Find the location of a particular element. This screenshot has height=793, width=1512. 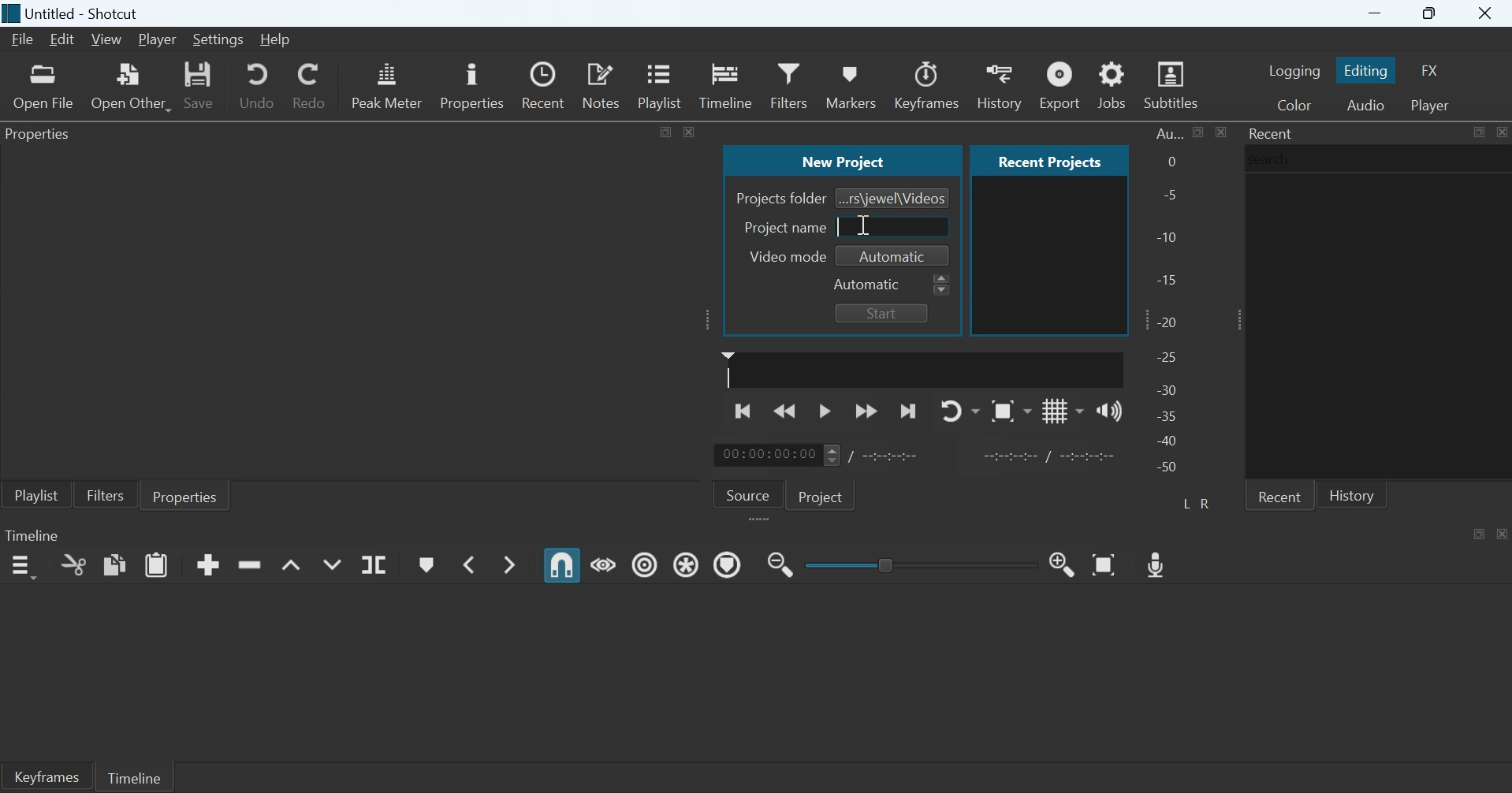

Playhead is located at coordinates (728, 369).